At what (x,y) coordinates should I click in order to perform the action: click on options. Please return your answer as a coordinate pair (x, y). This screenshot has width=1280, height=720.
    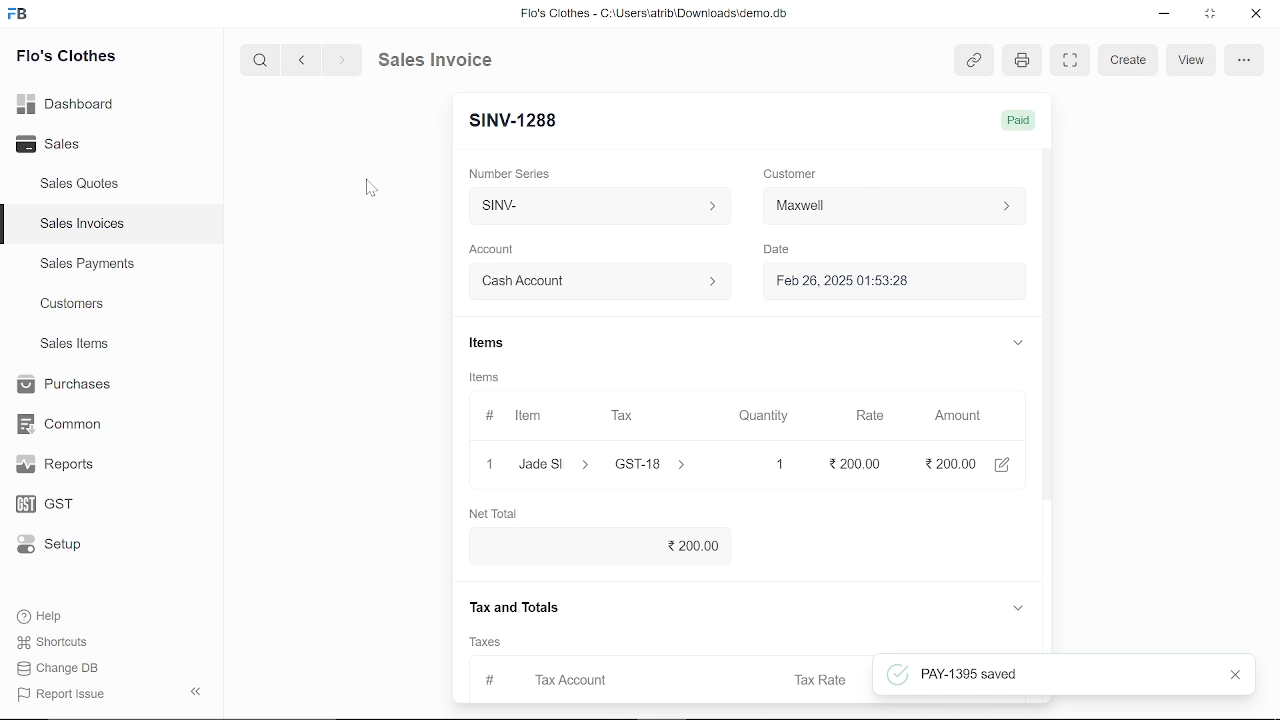
    Looking at the image, I should click on (1243, 59).